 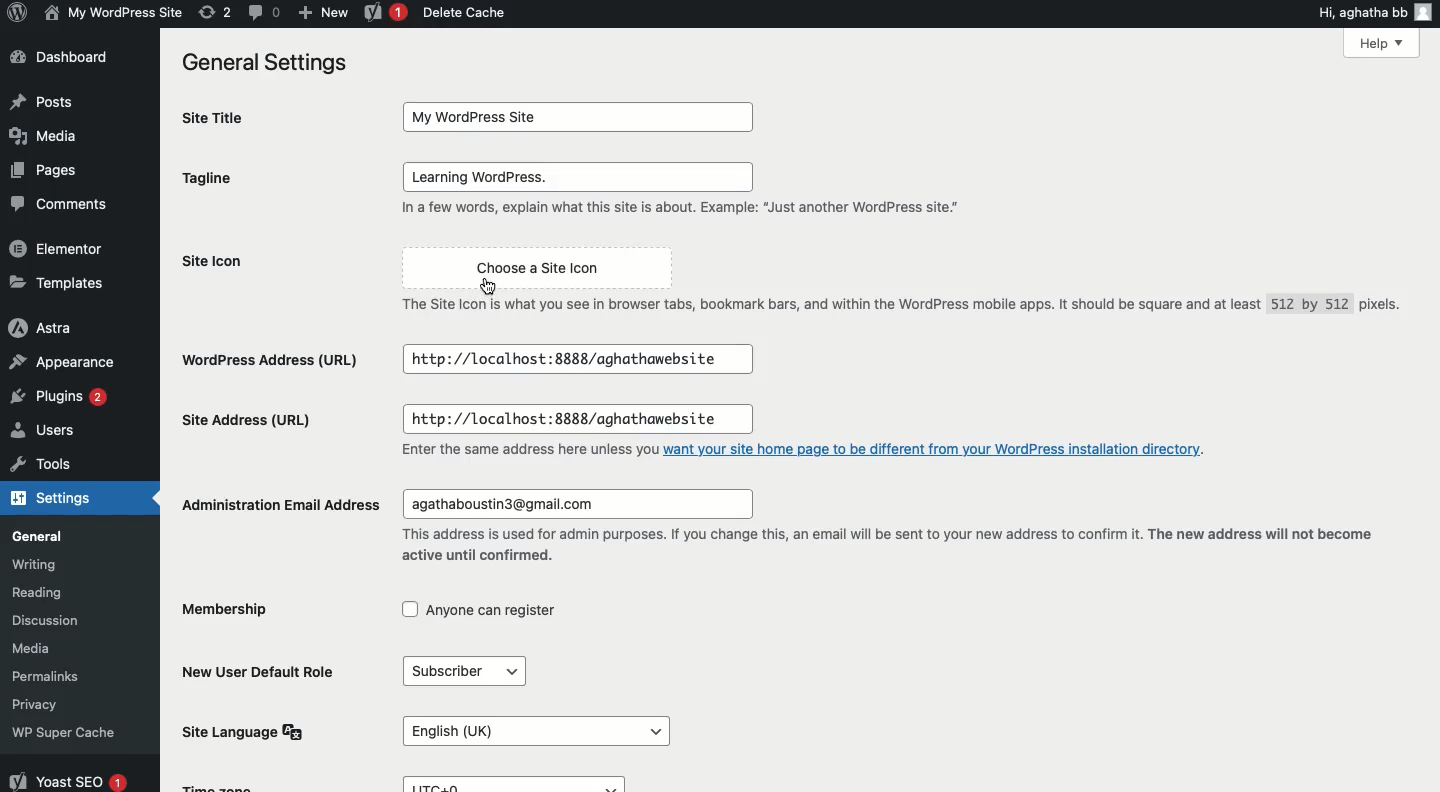 What do you see at coordinates (62, 248) in the screenshot?
I see `Elementor` at bounding box center [62, 248].